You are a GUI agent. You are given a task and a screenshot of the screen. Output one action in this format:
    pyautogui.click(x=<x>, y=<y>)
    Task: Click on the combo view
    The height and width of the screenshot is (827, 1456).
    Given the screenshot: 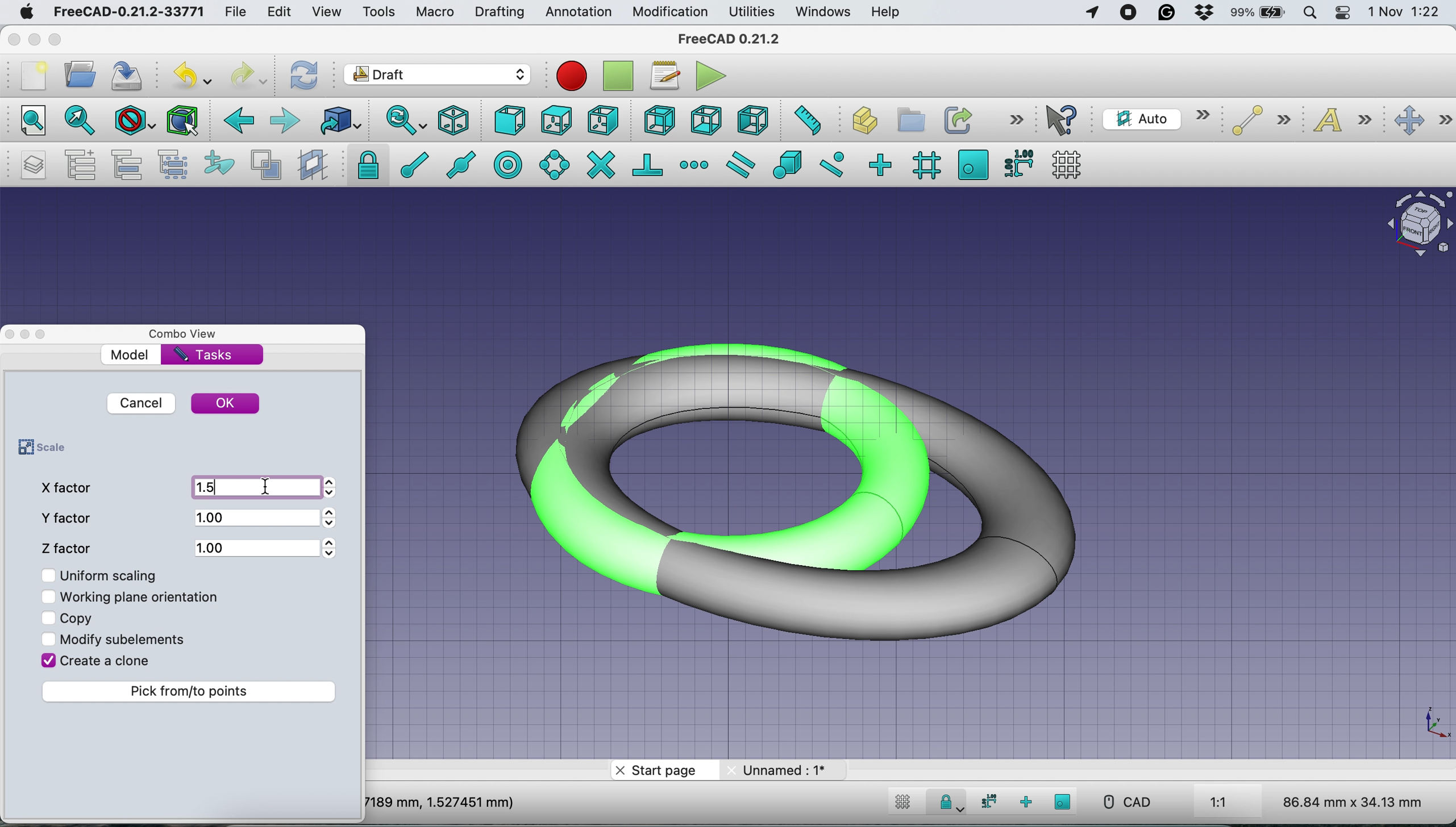 What is the action you would take?
    pyautogui.click(x=190, y=335)
    